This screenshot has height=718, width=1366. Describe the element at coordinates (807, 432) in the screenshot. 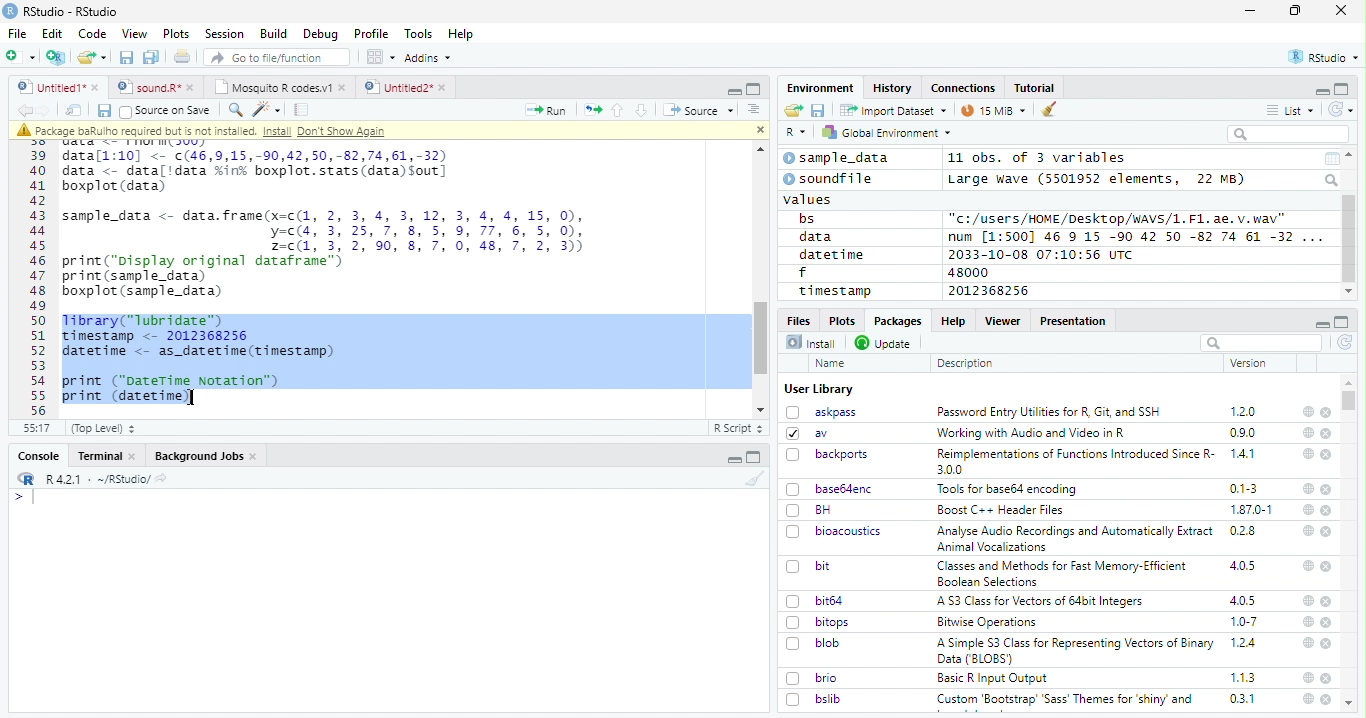

I see `av` at that location.